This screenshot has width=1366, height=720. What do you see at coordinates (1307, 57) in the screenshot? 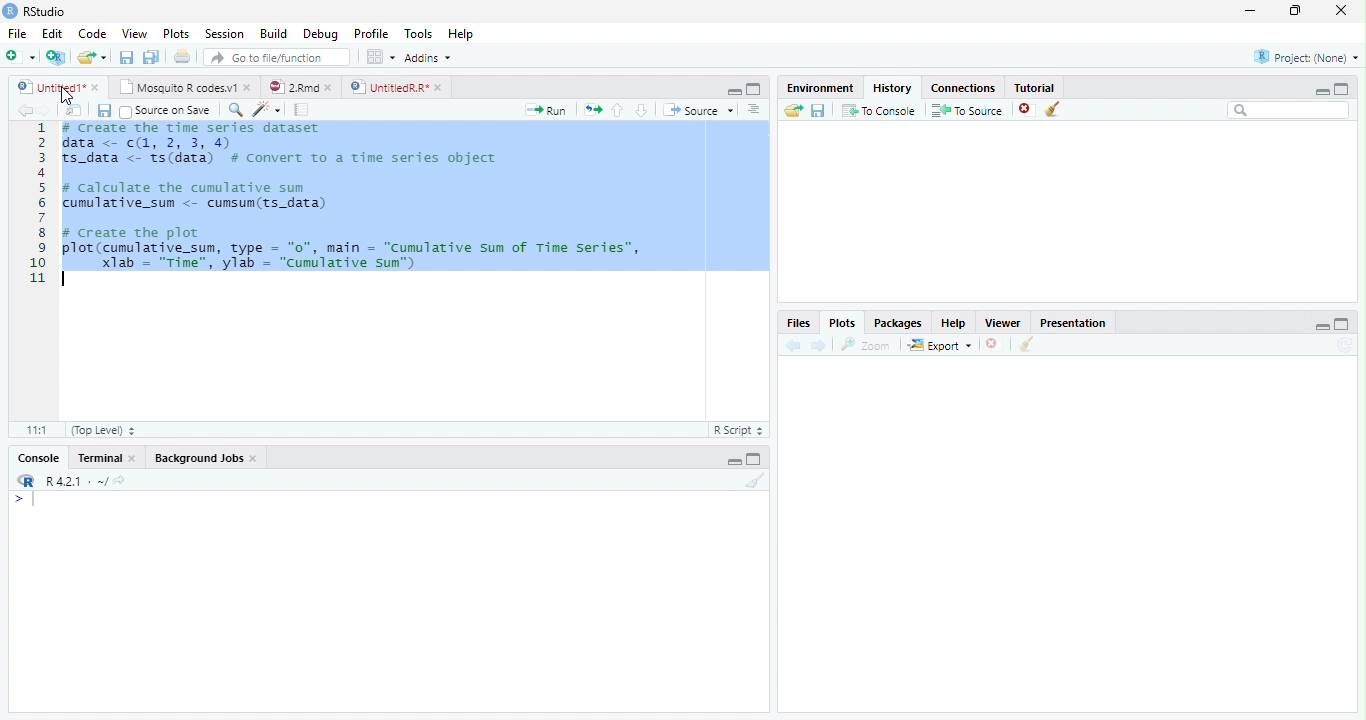
I see `Project (None)` at bounding box center [1307, 57].